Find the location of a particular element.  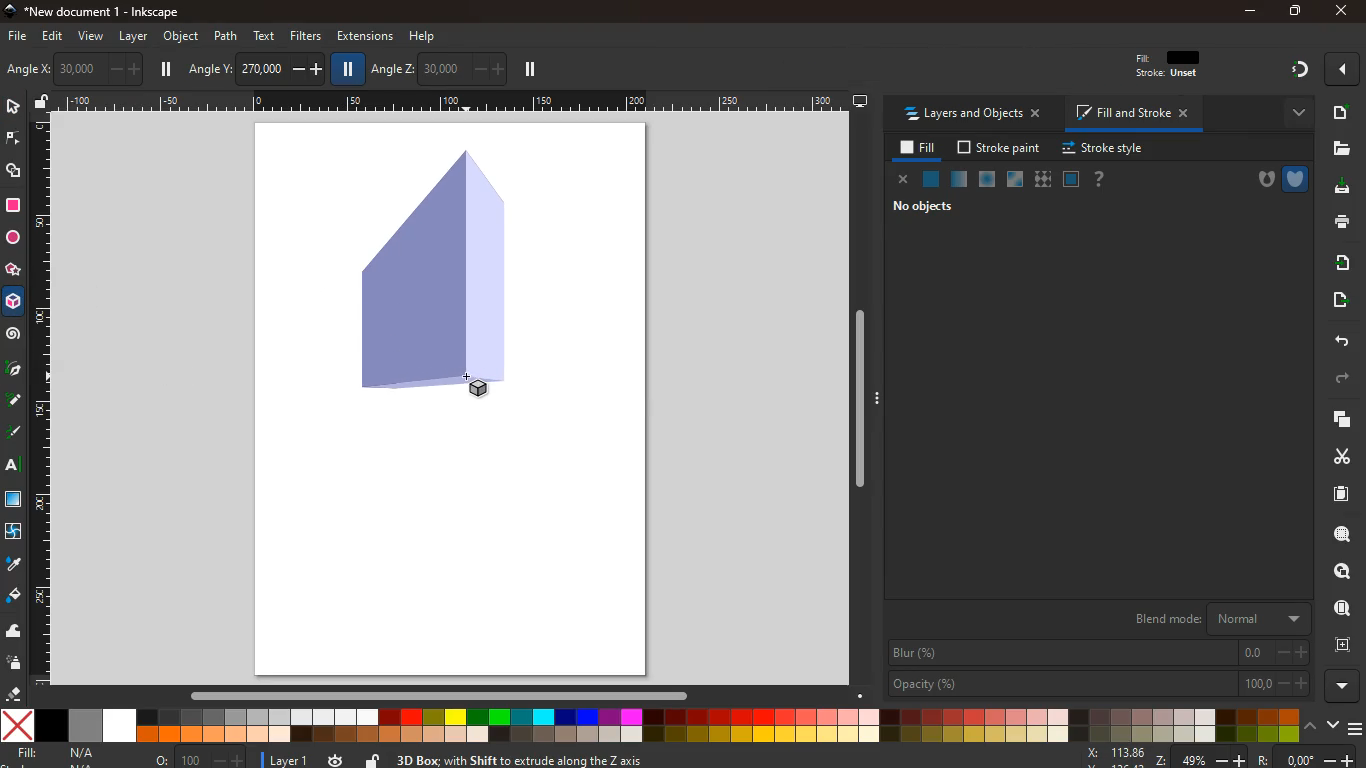

Down is located at coordinates (860, 693).